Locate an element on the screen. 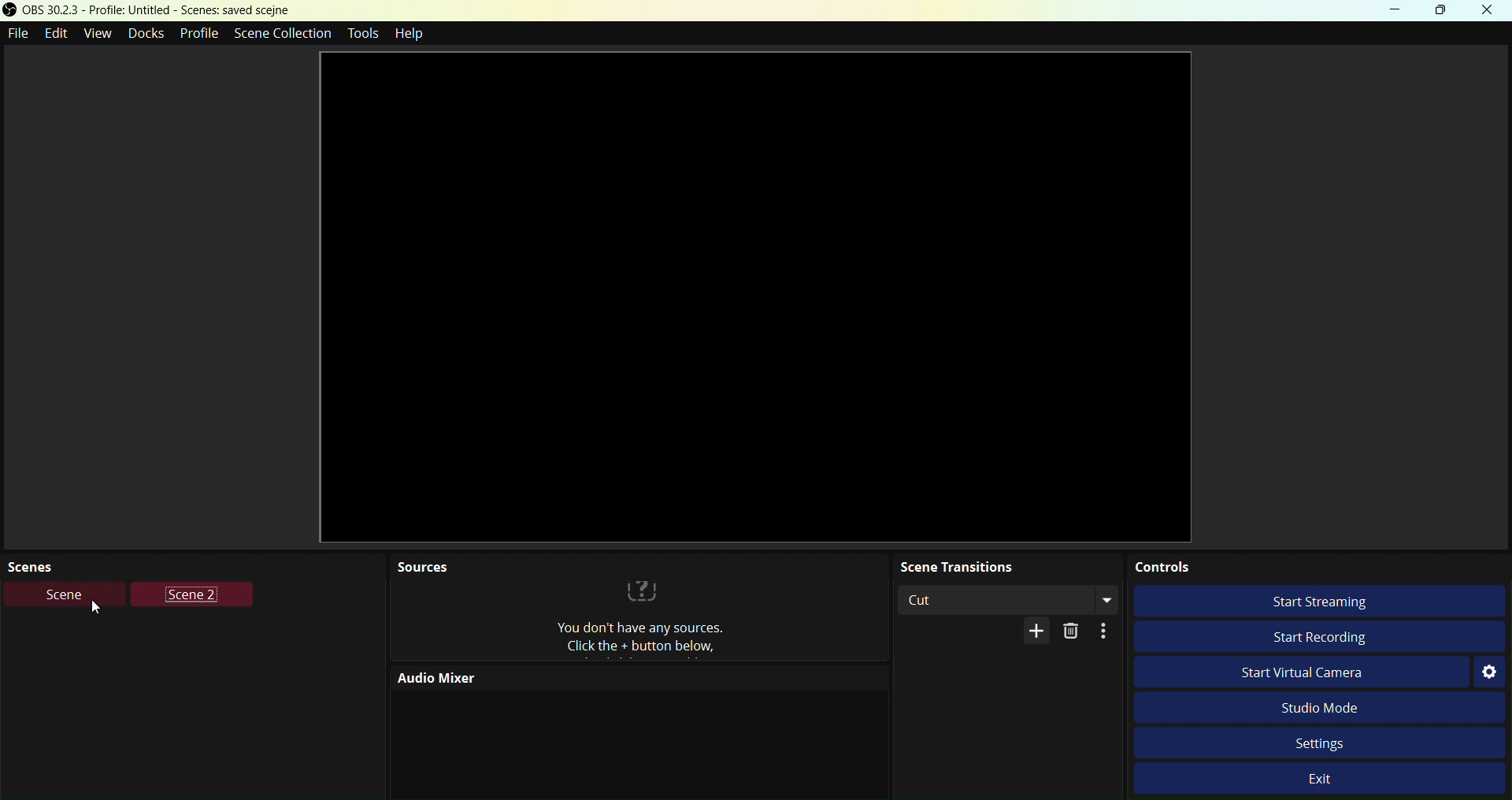  Scene Collection is located at coordinates (283, 34).